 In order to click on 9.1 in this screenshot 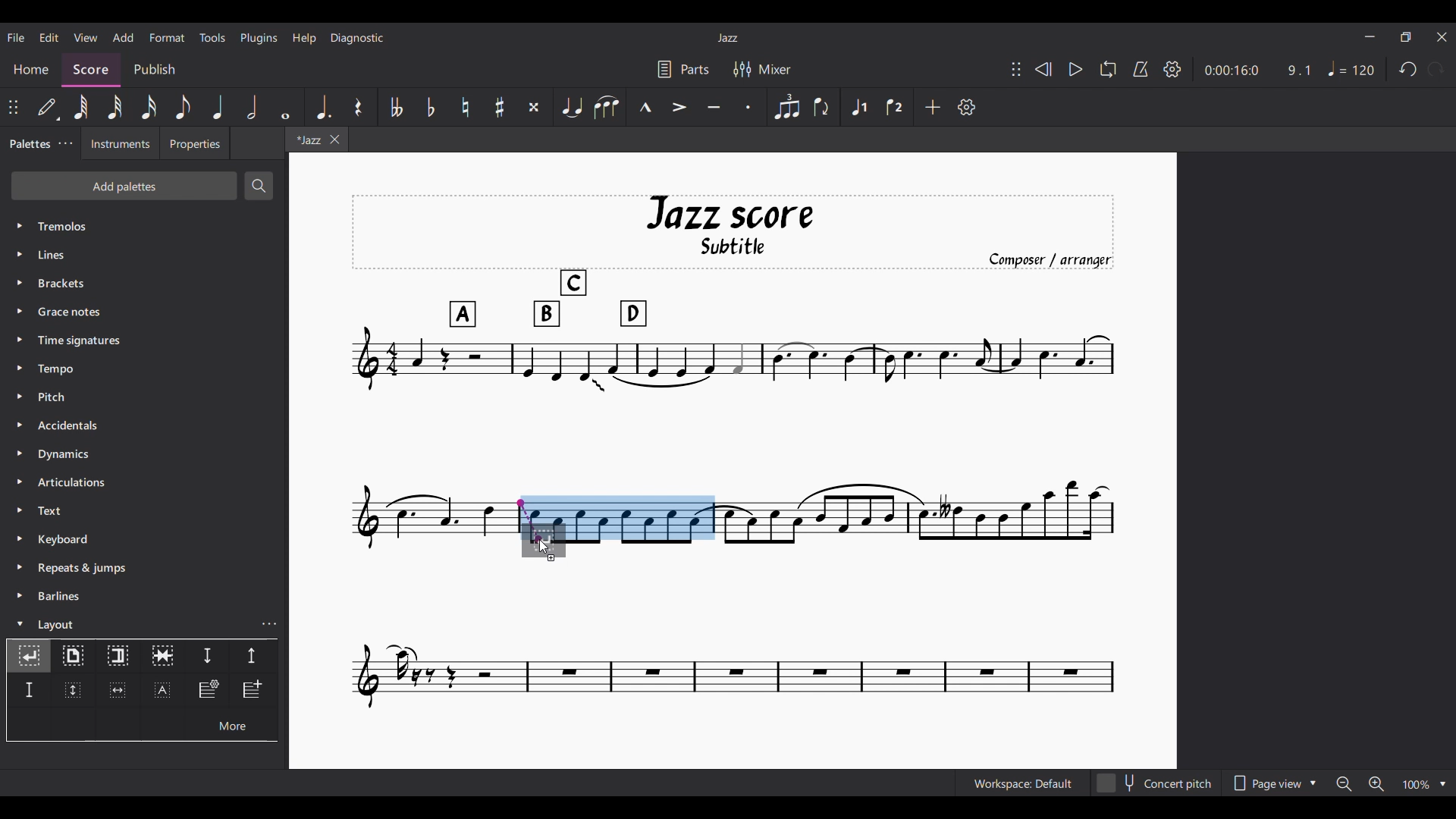, I will do `click(1299, 71)`.